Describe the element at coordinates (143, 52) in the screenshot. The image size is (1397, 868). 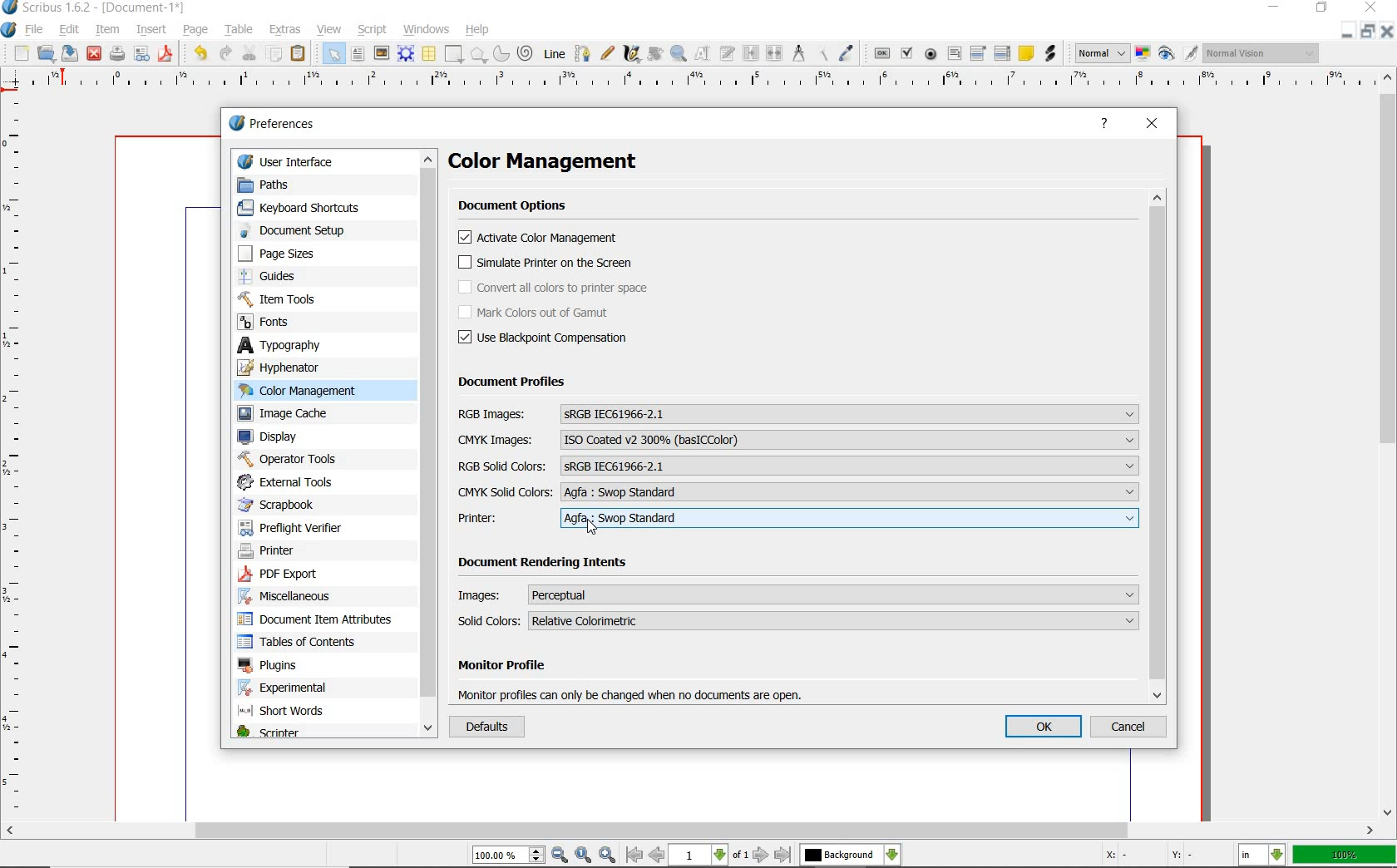
I see `preflight verifier` at that location.